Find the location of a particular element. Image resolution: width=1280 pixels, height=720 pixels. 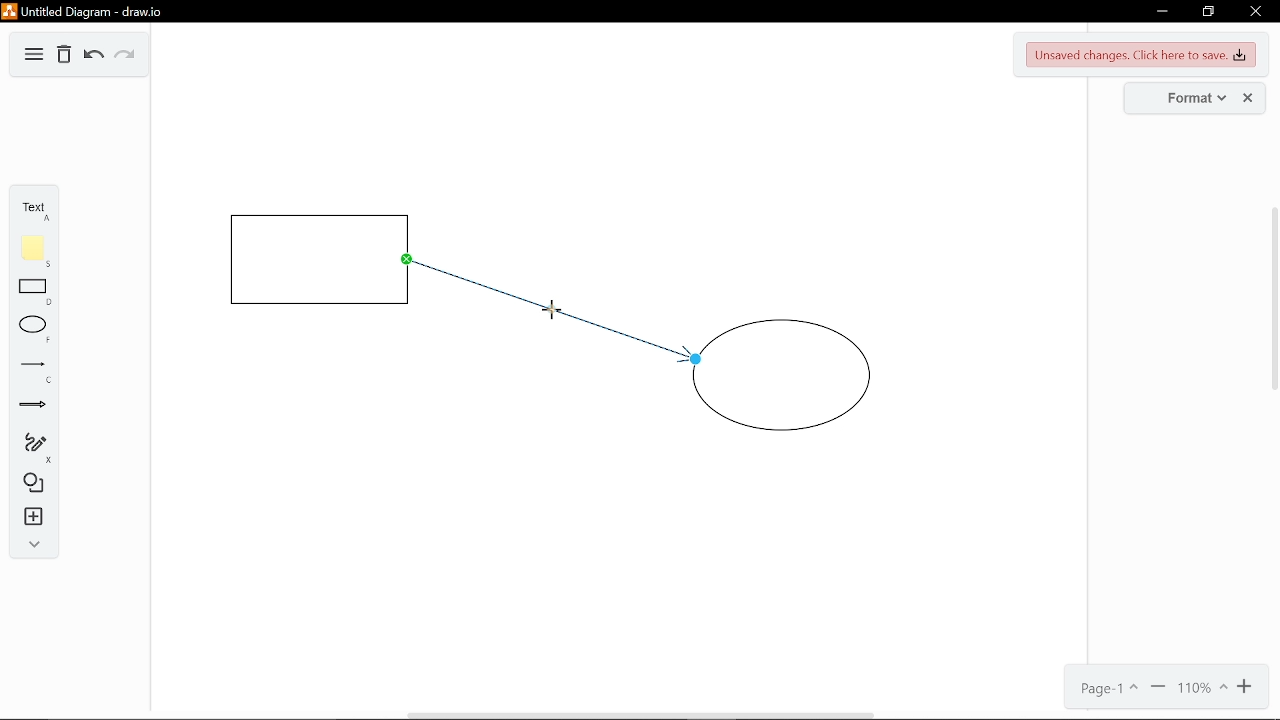

Undo is located at coordinates (92, 57).